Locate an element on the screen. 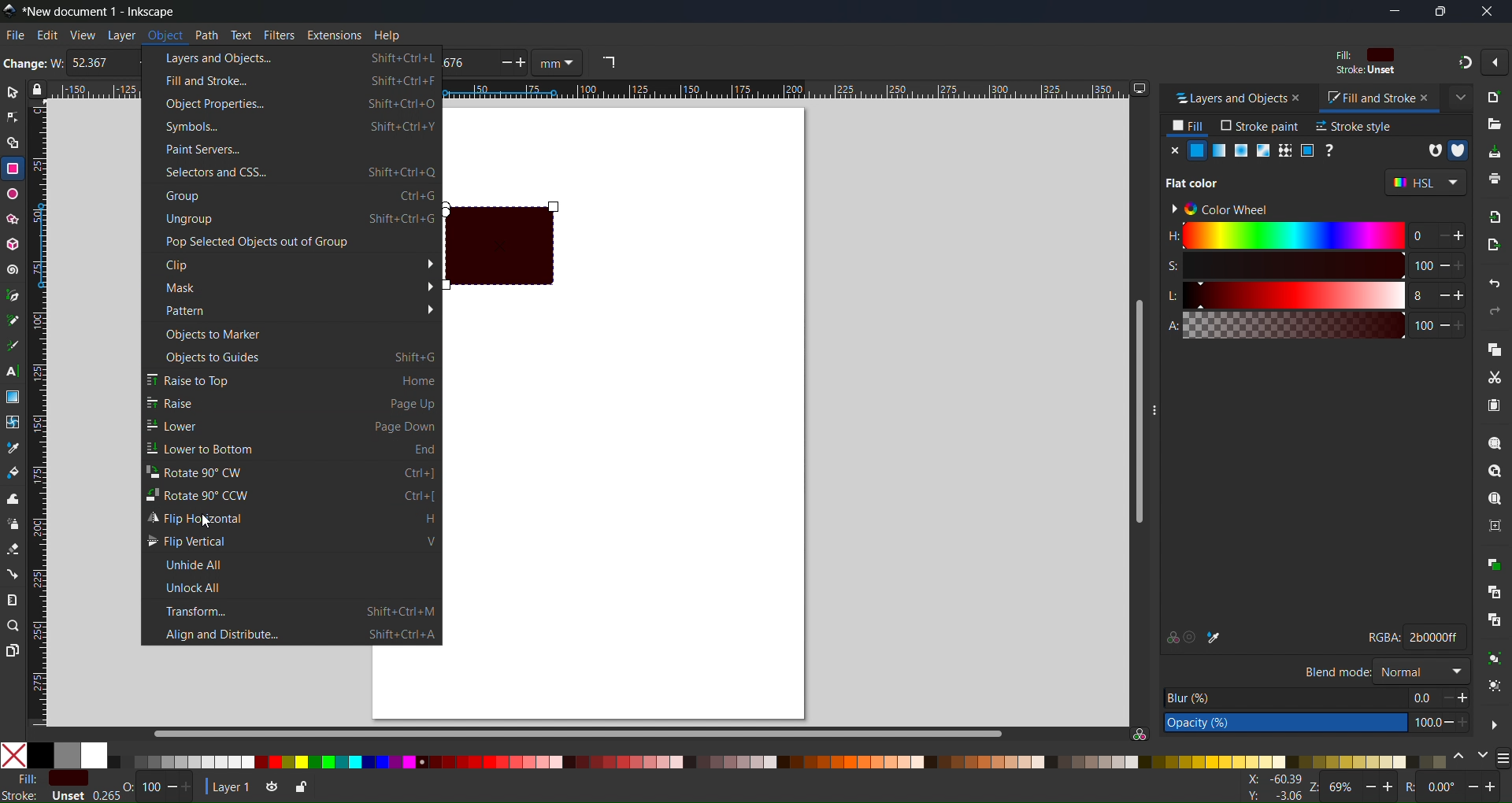  0.265 is located at coordinates (102, 796).